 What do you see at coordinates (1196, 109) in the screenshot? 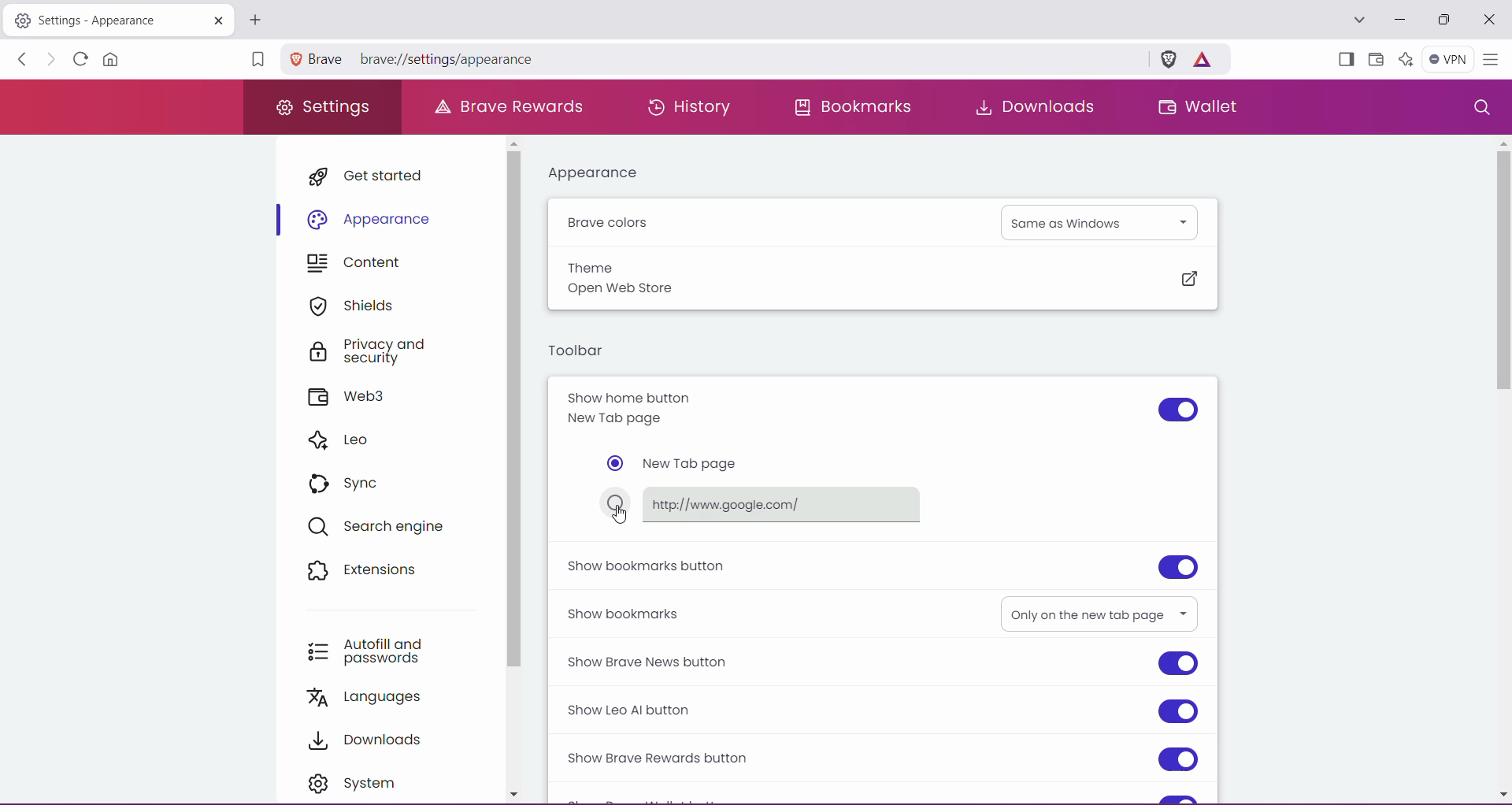
I see `Wallet` at bounding box center [1196, 109].